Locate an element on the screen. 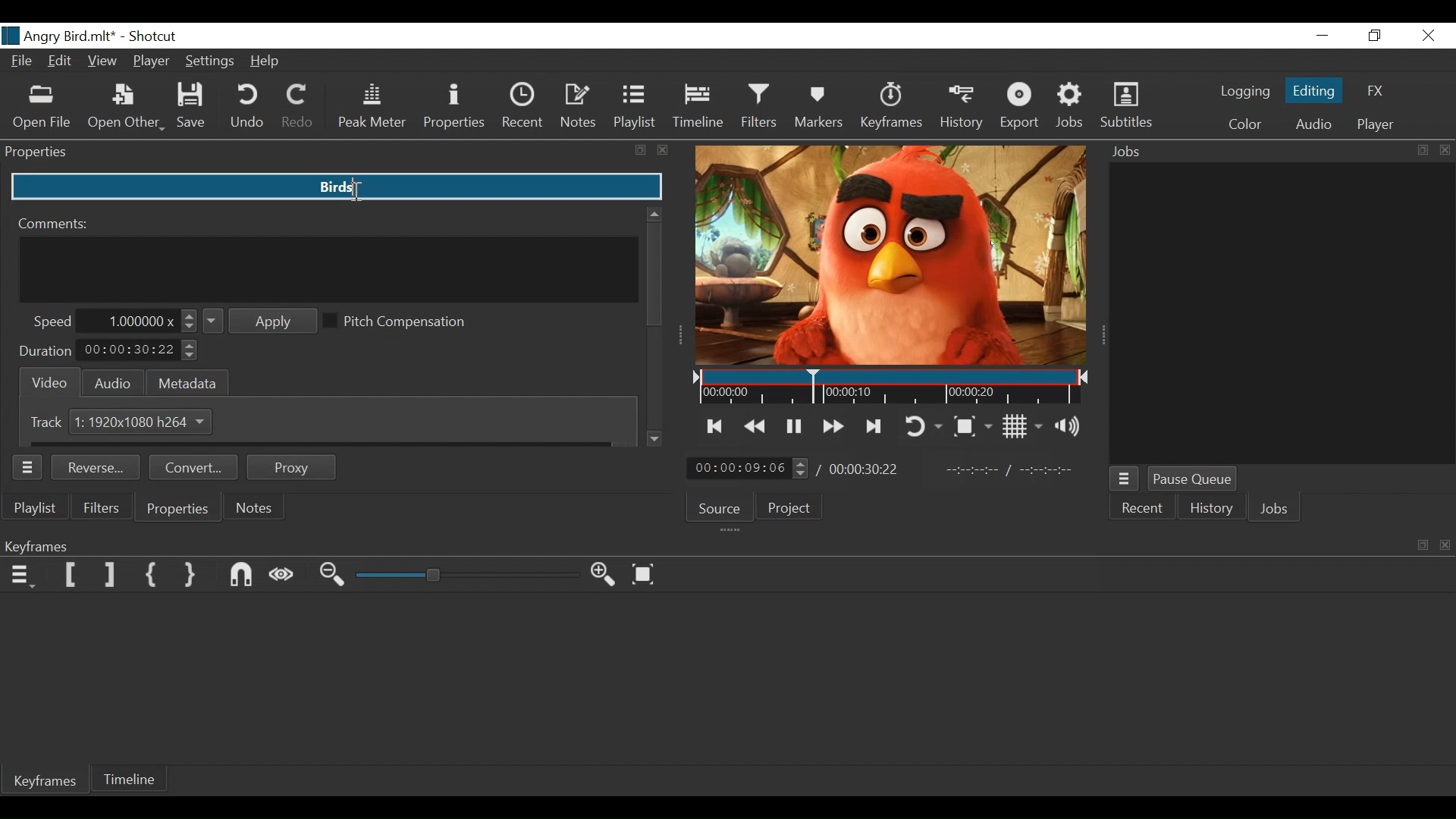 Image resolution: width=1456 pixels, height=819 pixels. Apply is located at coordinates (261, 322).